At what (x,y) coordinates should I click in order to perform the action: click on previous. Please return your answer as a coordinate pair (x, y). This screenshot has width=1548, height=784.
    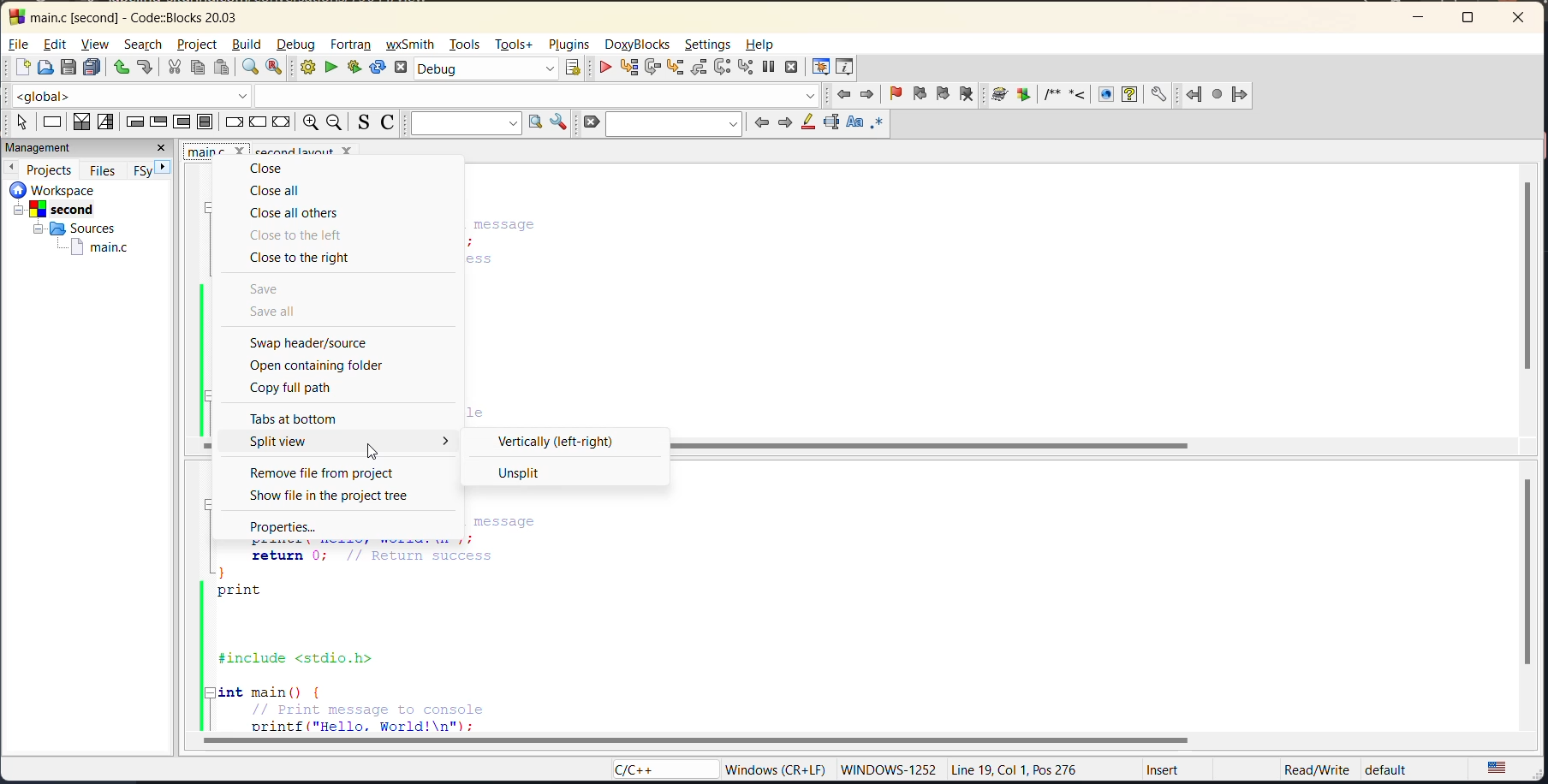
    Looking at the image, I should click on (13, 168).